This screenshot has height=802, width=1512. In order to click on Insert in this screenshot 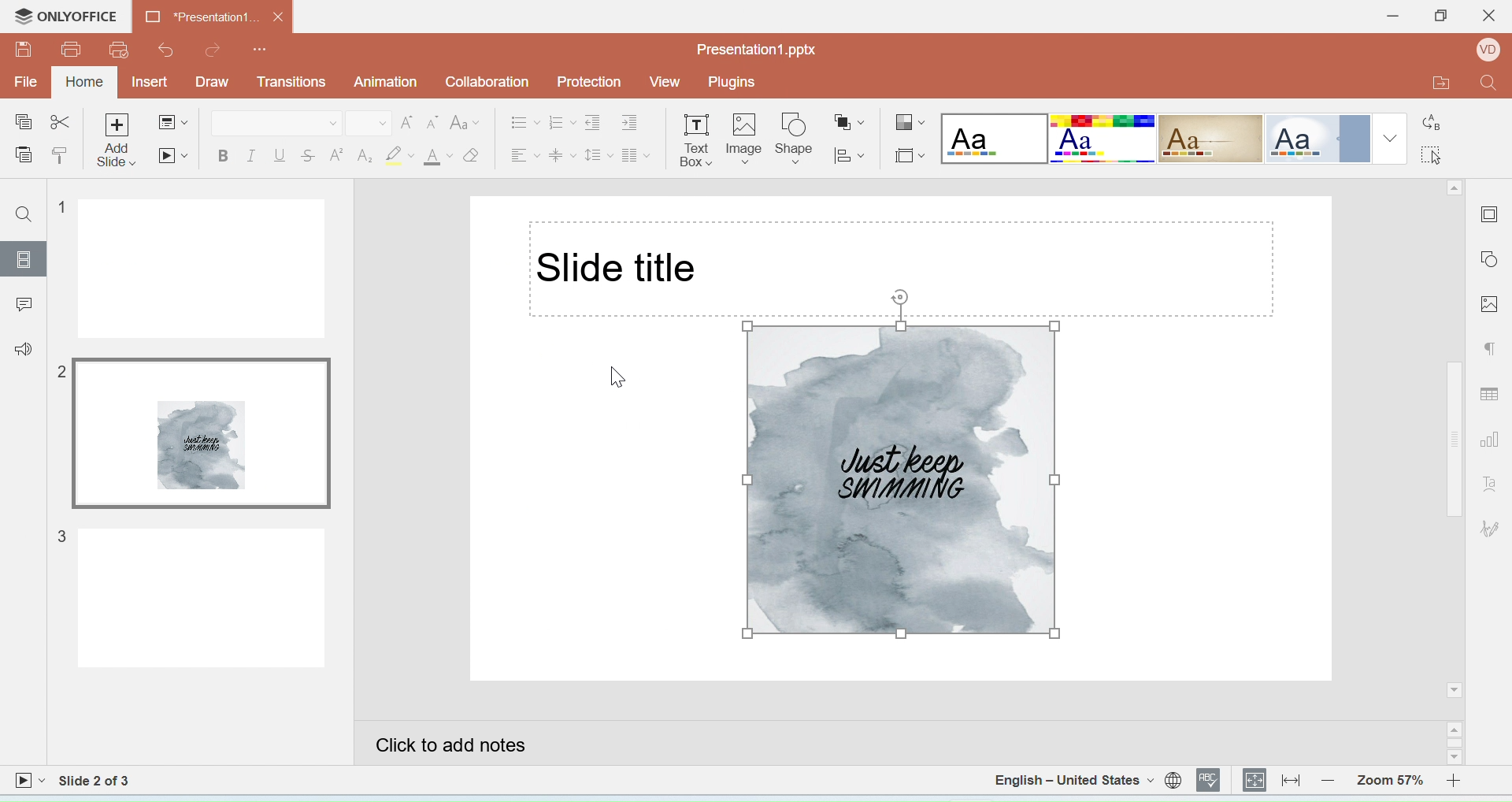, I will do `click(153, 83)`.